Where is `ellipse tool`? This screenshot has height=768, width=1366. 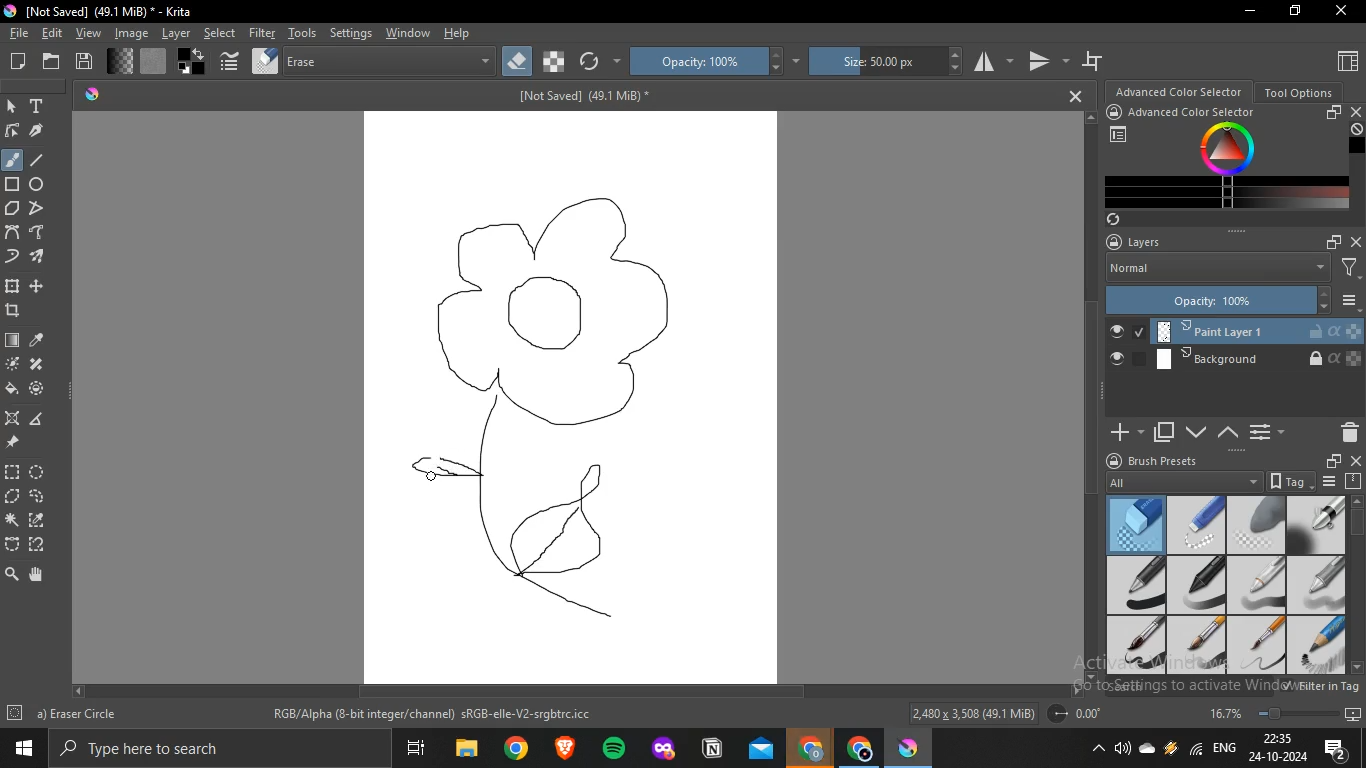 ellipse tool is located at coordinates (38, 185).